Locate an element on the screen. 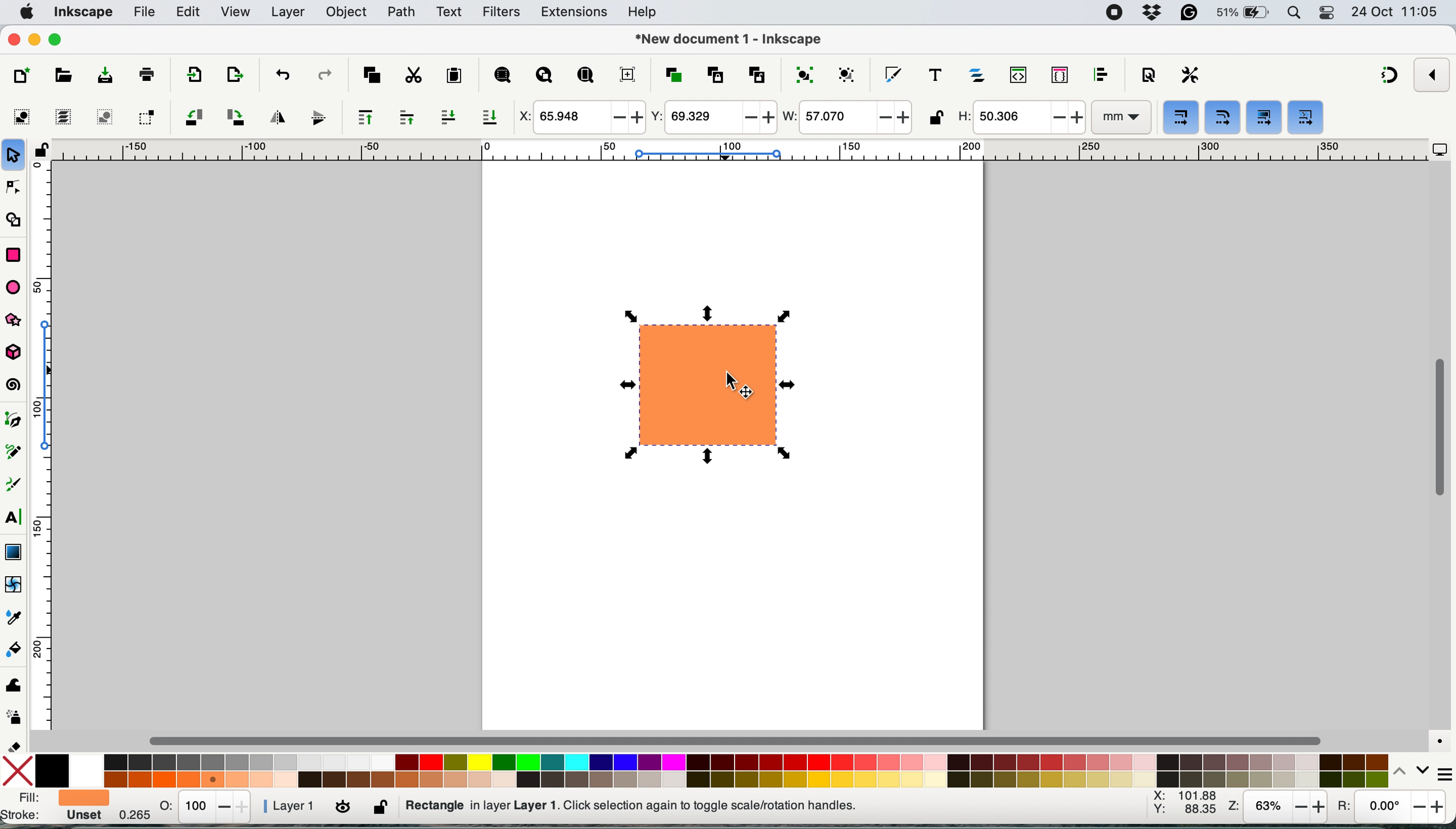  xy coordinates is located at coordinates (1184, 806).